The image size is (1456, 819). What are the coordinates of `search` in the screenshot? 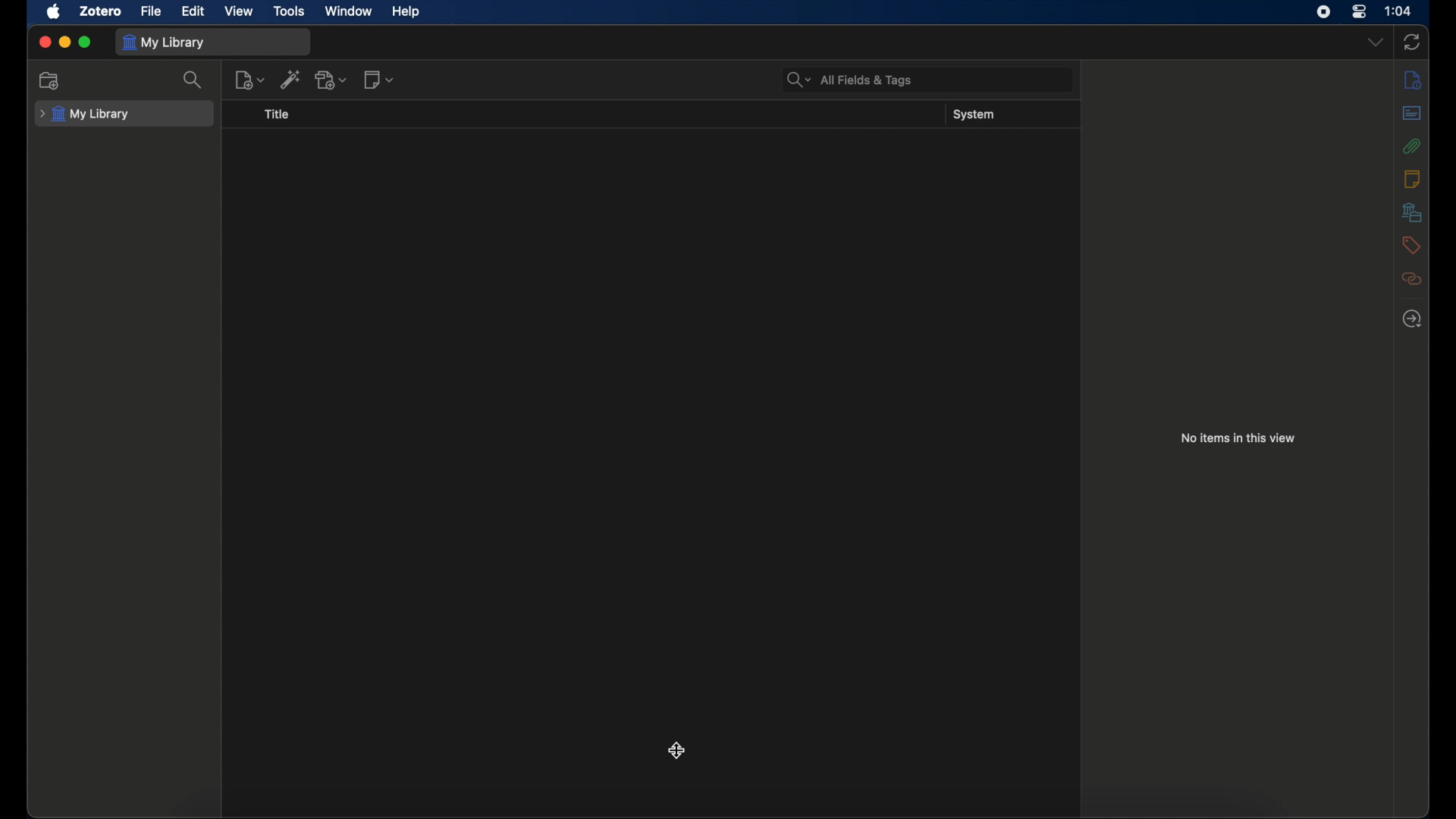 It's located at (193, 80).